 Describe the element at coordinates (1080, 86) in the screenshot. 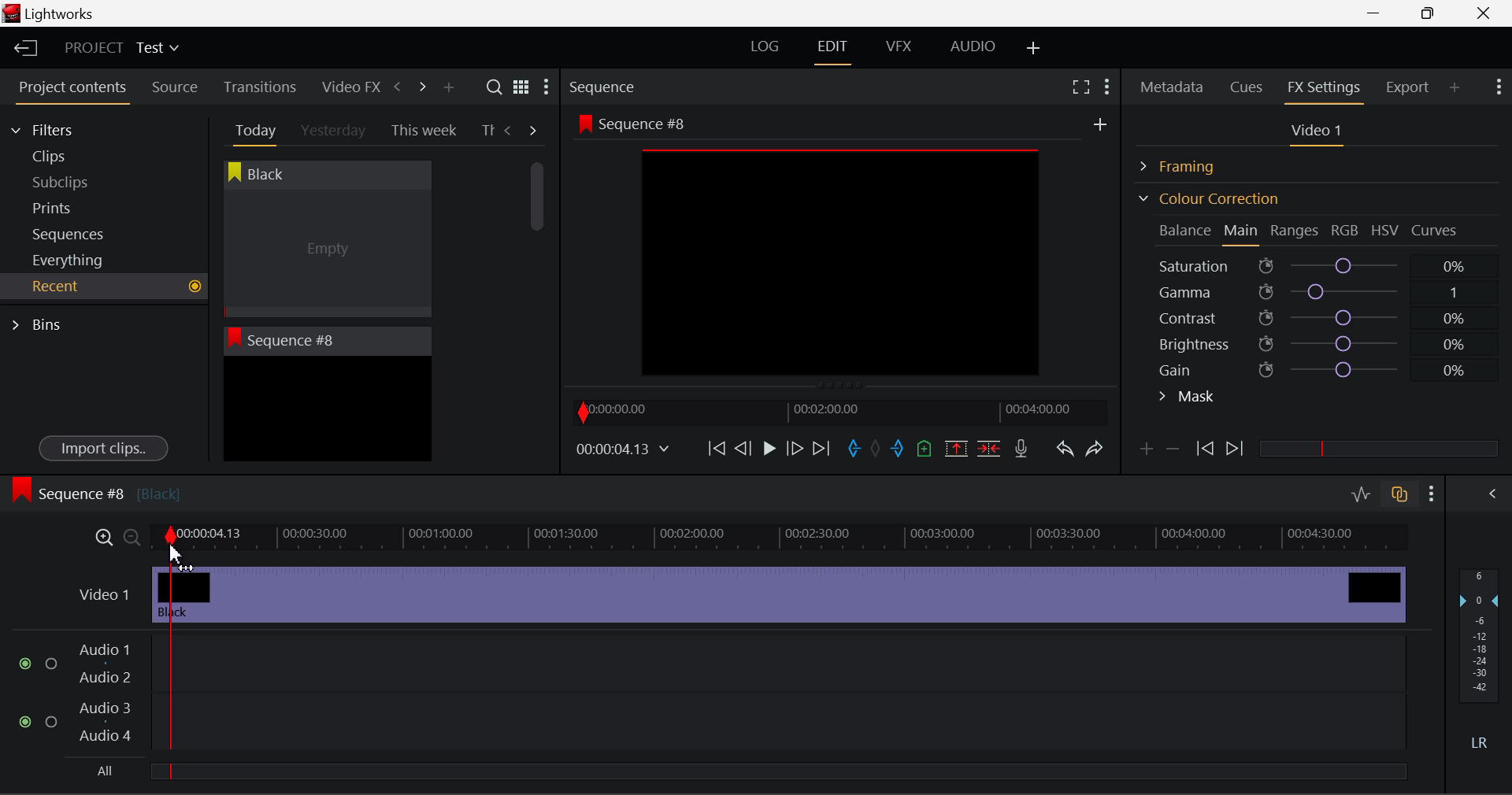

I see `Full Screen` at that location.